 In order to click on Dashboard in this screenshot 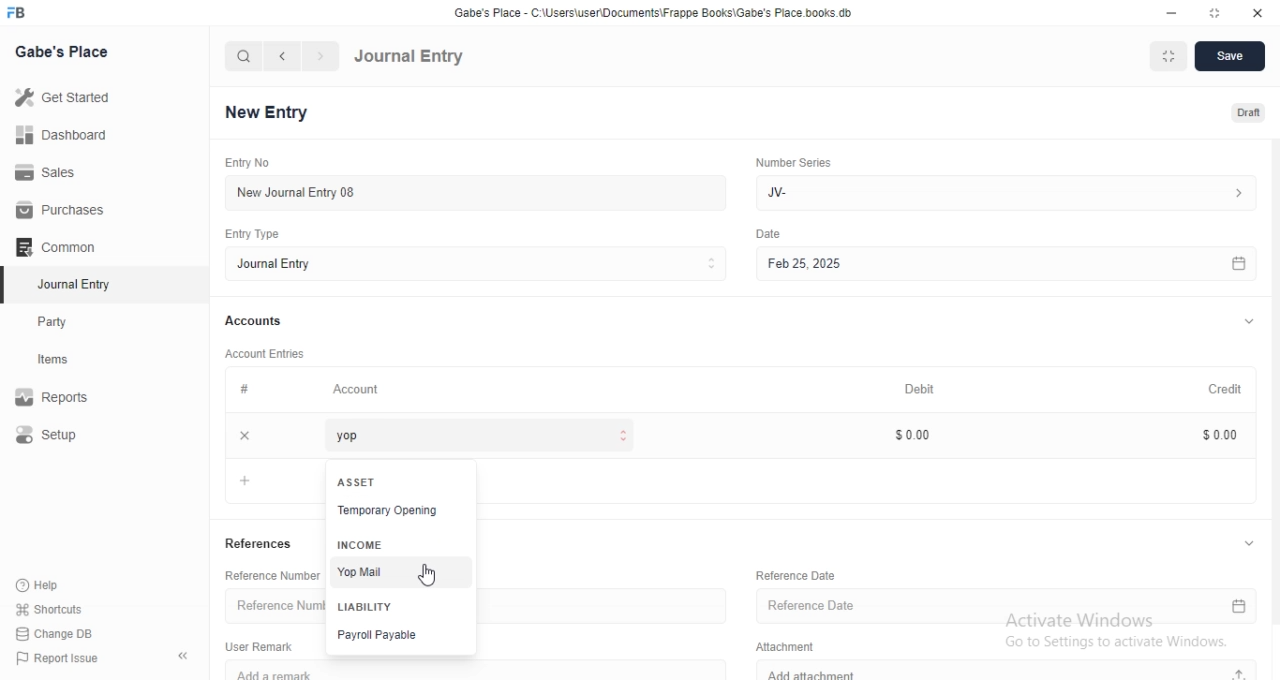, I will do `click(61, 138)`.